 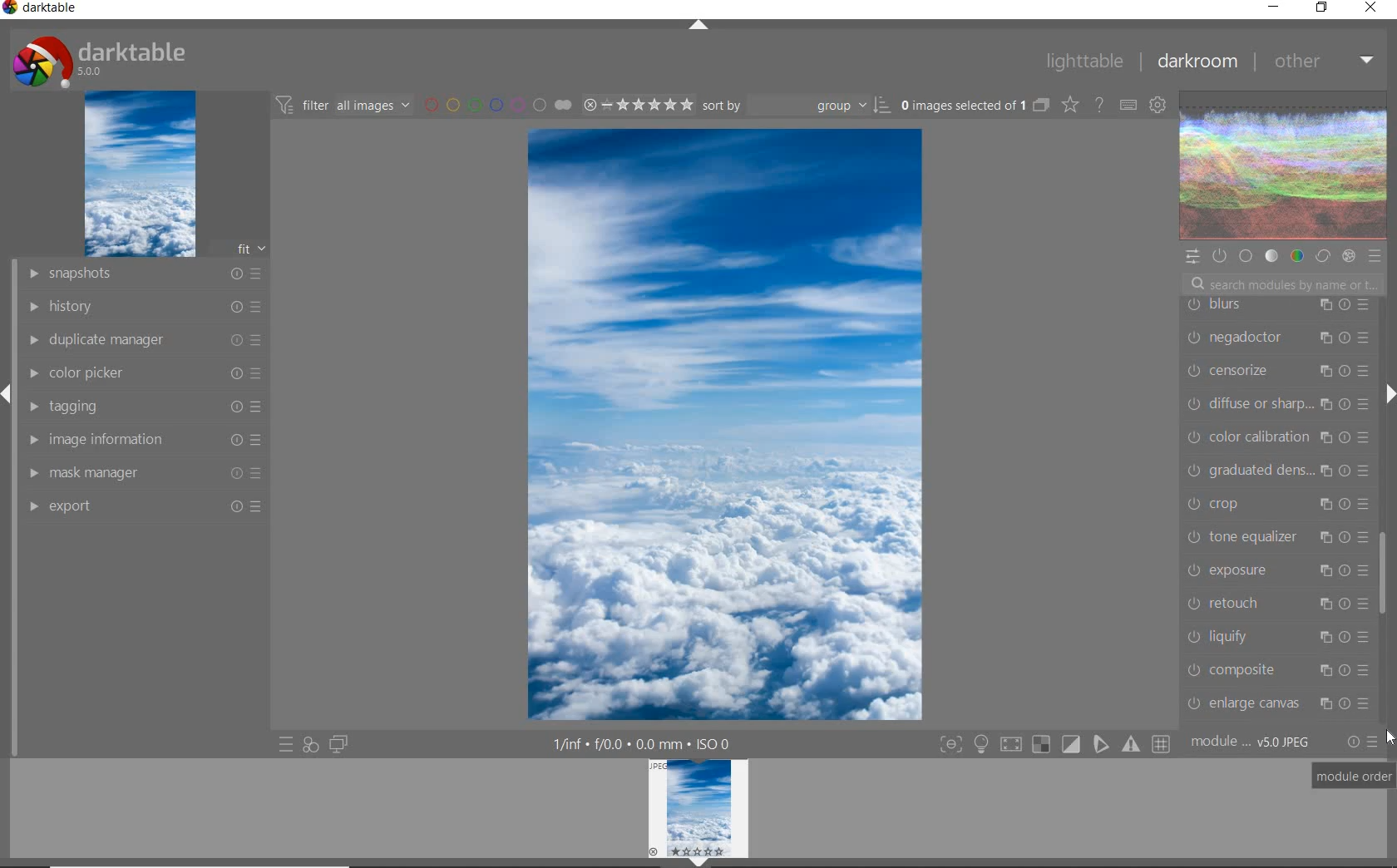 I want to click on crop, so click(x=1276, y=502).